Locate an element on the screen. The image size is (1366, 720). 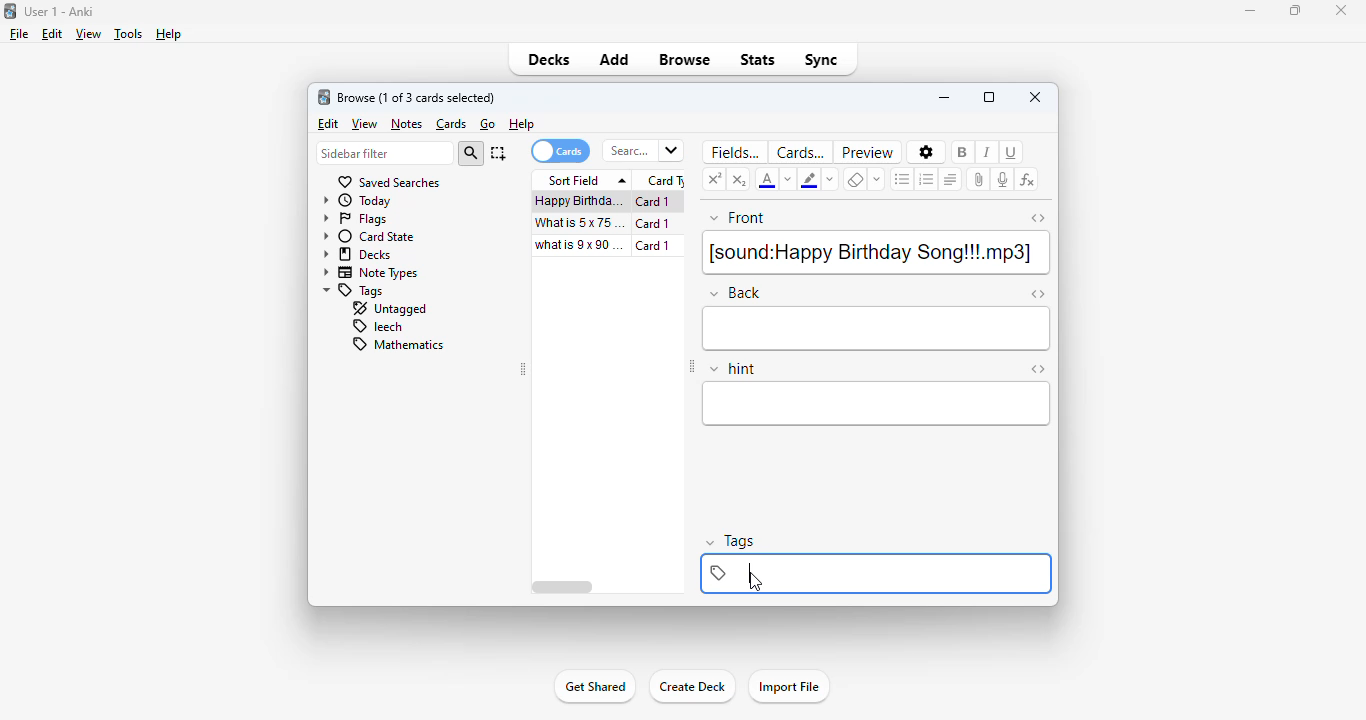
decks is located at coordinates (357, 255).